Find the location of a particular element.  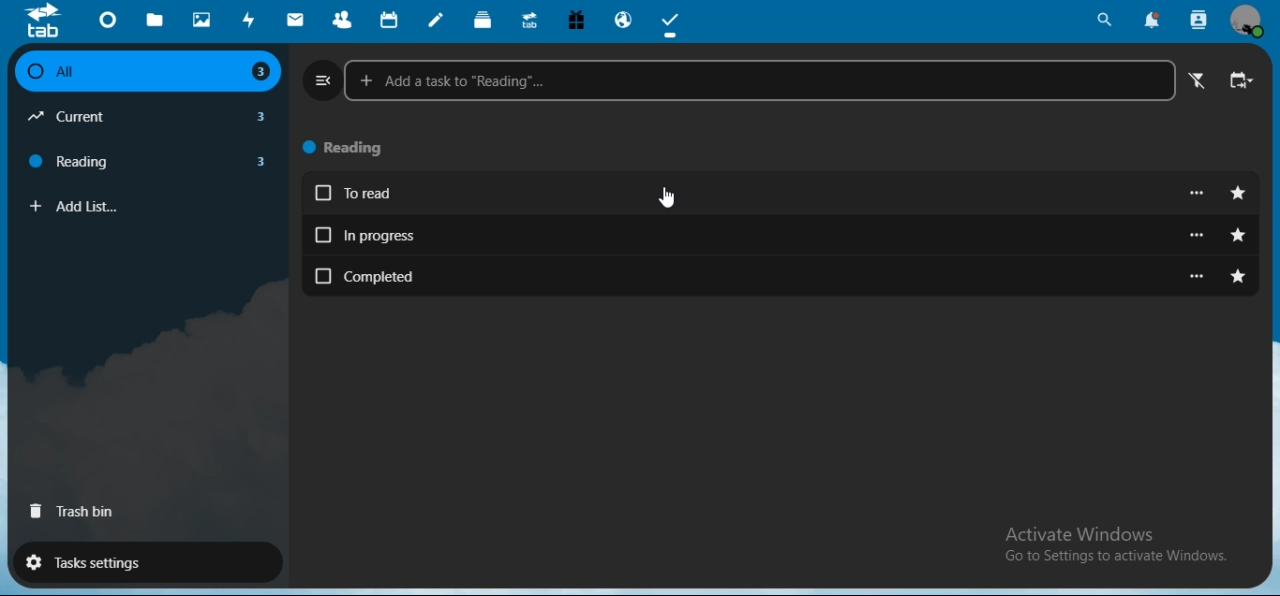

dashboard is located at coordinates (107, 19).